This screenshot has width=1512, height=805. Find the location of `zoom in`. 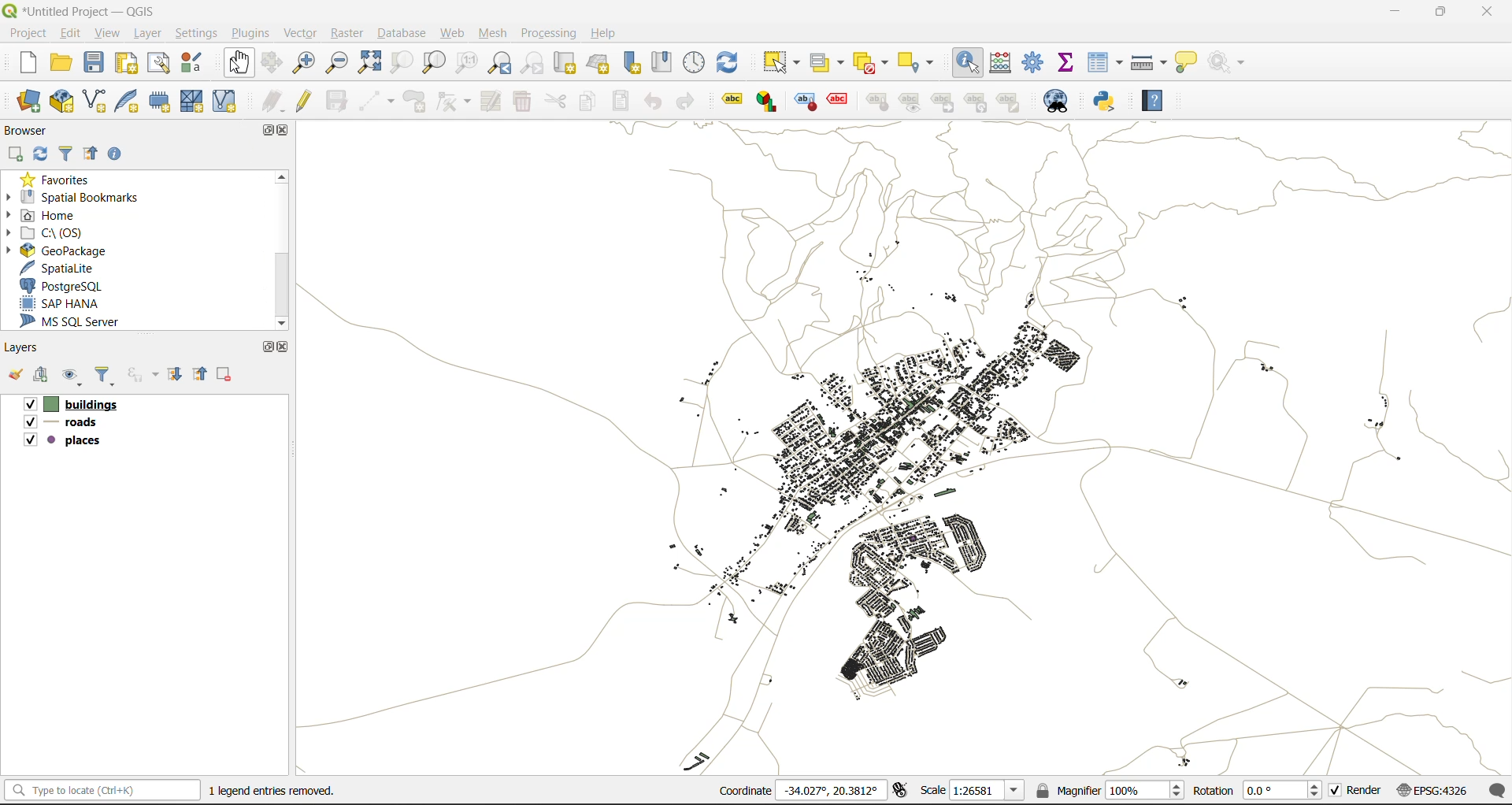

zoom in is located at coordinates (308, 63).